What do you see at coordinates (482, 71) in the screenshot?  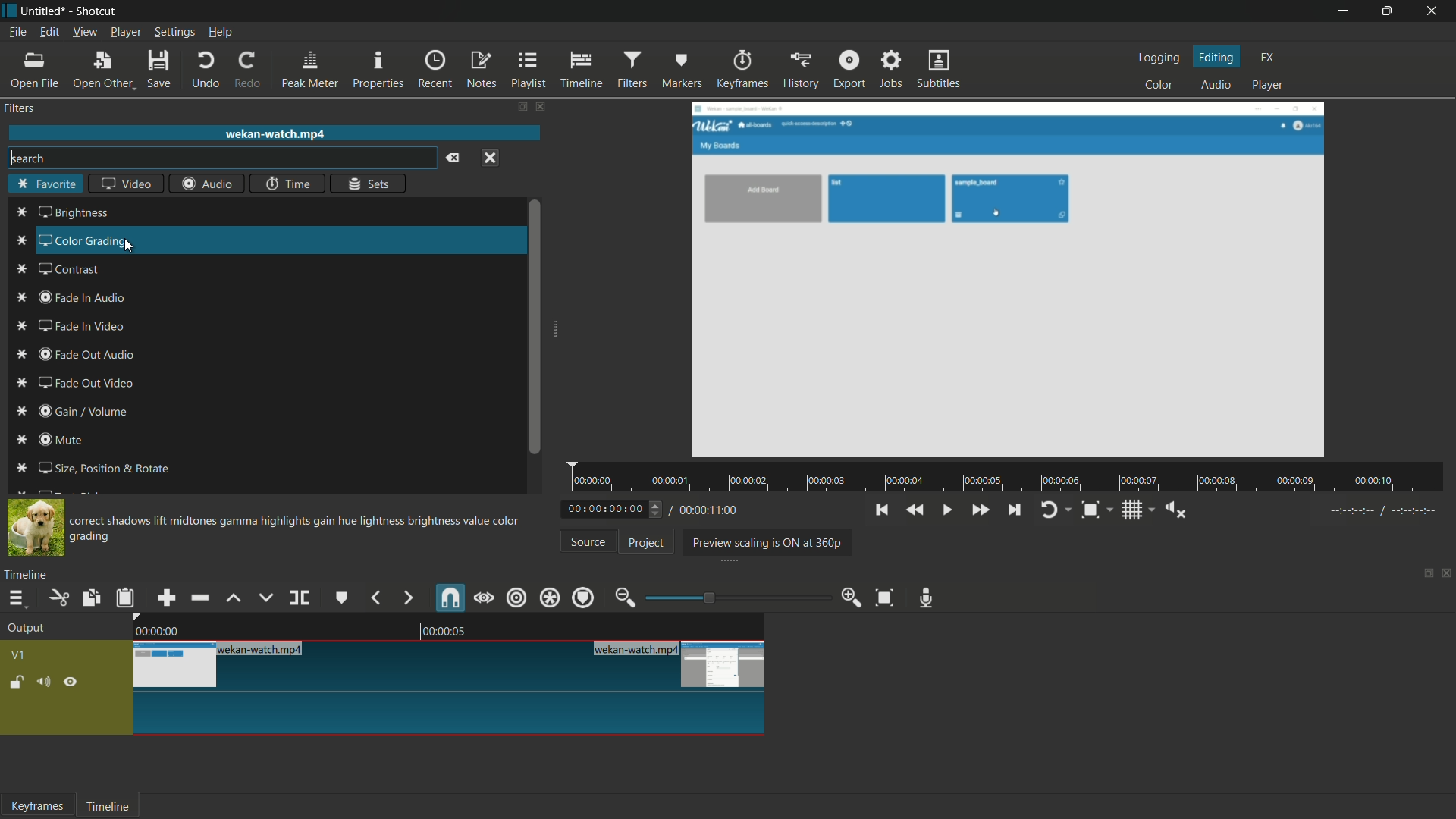 I see `notes` at bounding box center [482, 71].